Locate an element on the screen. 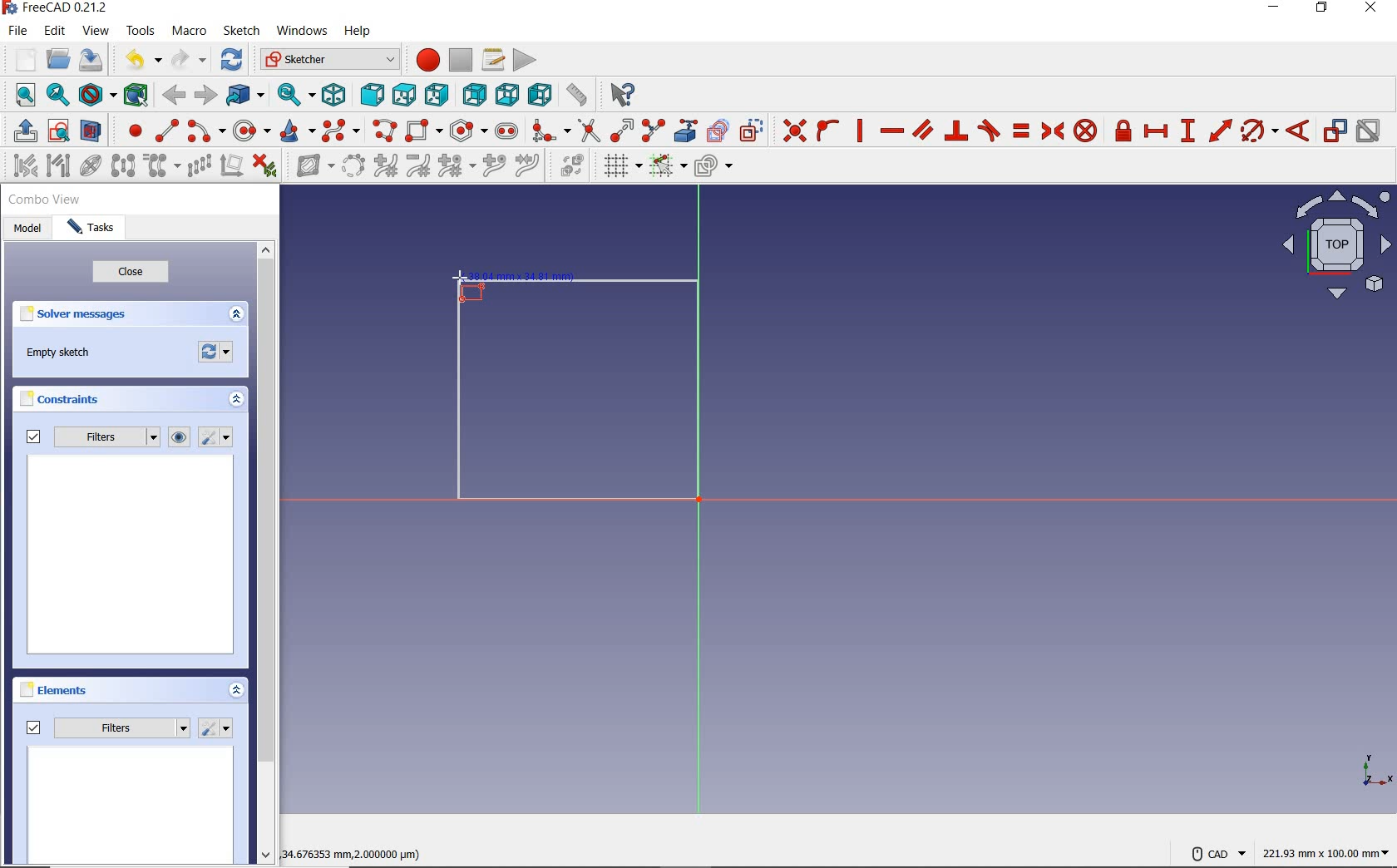 This screenshot has width=1397, height=868. constrain tangent is located at coordinates (989, 131).